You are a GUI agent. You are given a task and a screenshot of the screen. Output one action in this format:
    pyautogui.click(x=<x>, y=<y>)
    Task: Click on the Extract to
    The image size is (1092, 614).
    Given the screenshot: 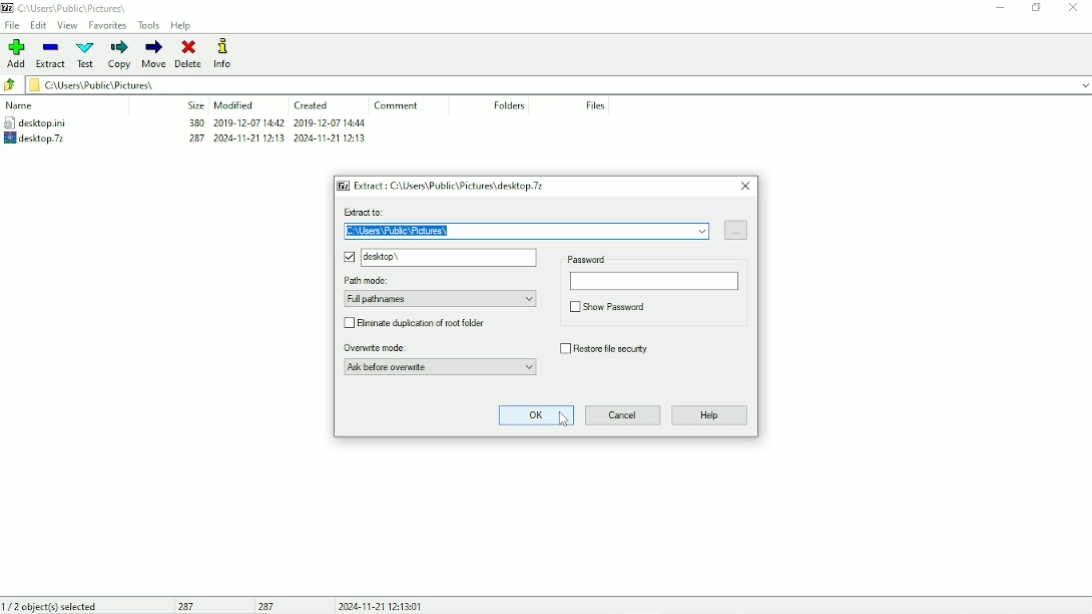 What is the action you would take?
    pyautogui.click(x=512, y=213)
    